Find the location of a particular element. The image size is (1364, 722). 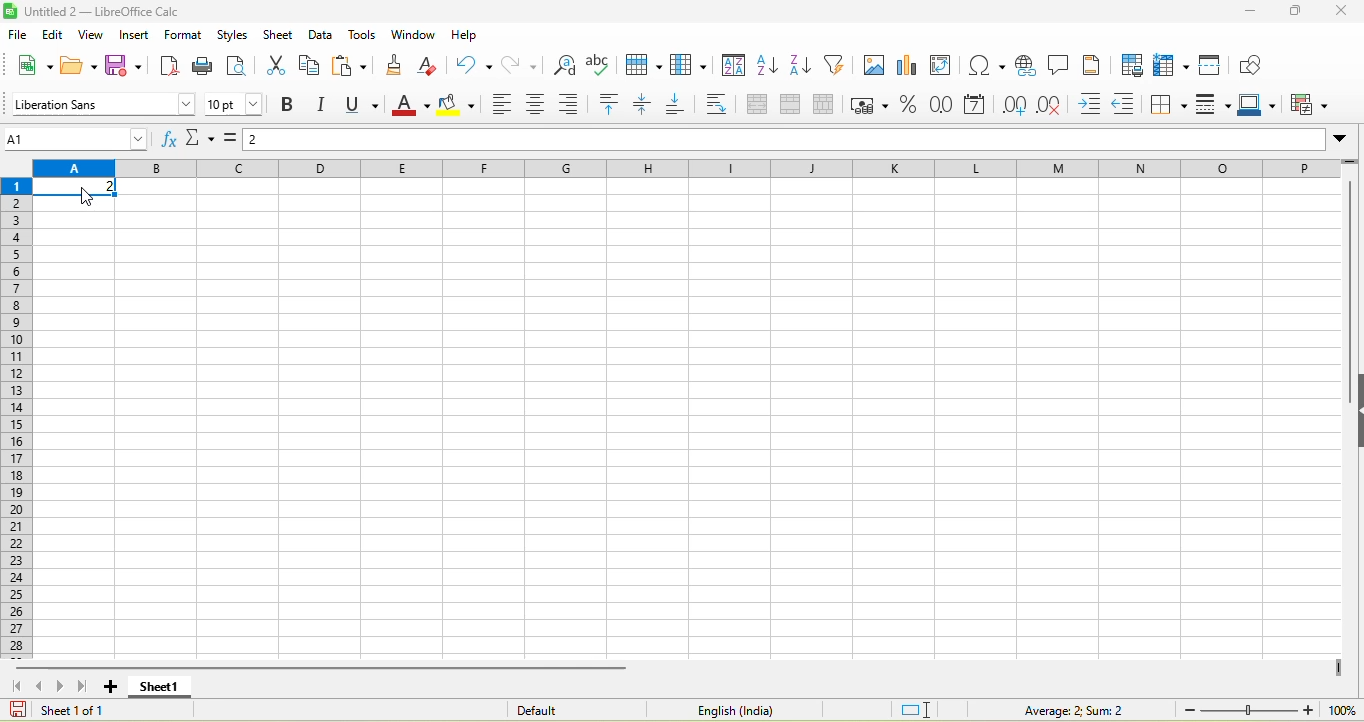

clone formatting is located at coordinates (400, 64).